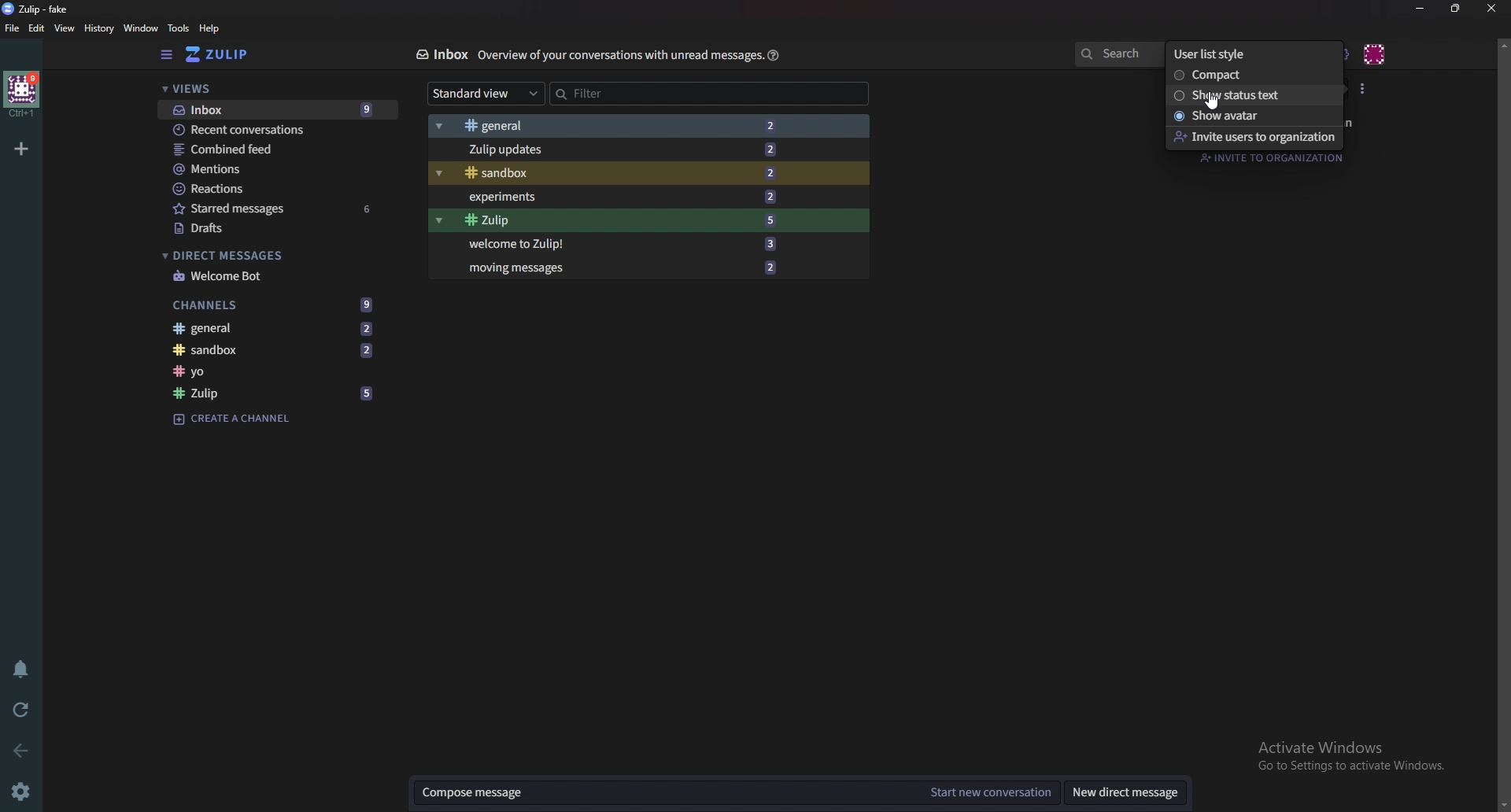 Image resolution: width=1511 pixels, height=812 pixels. Describe the element at coordinates (233, 420) in the screenshot. I see `Create a channel` at that location.